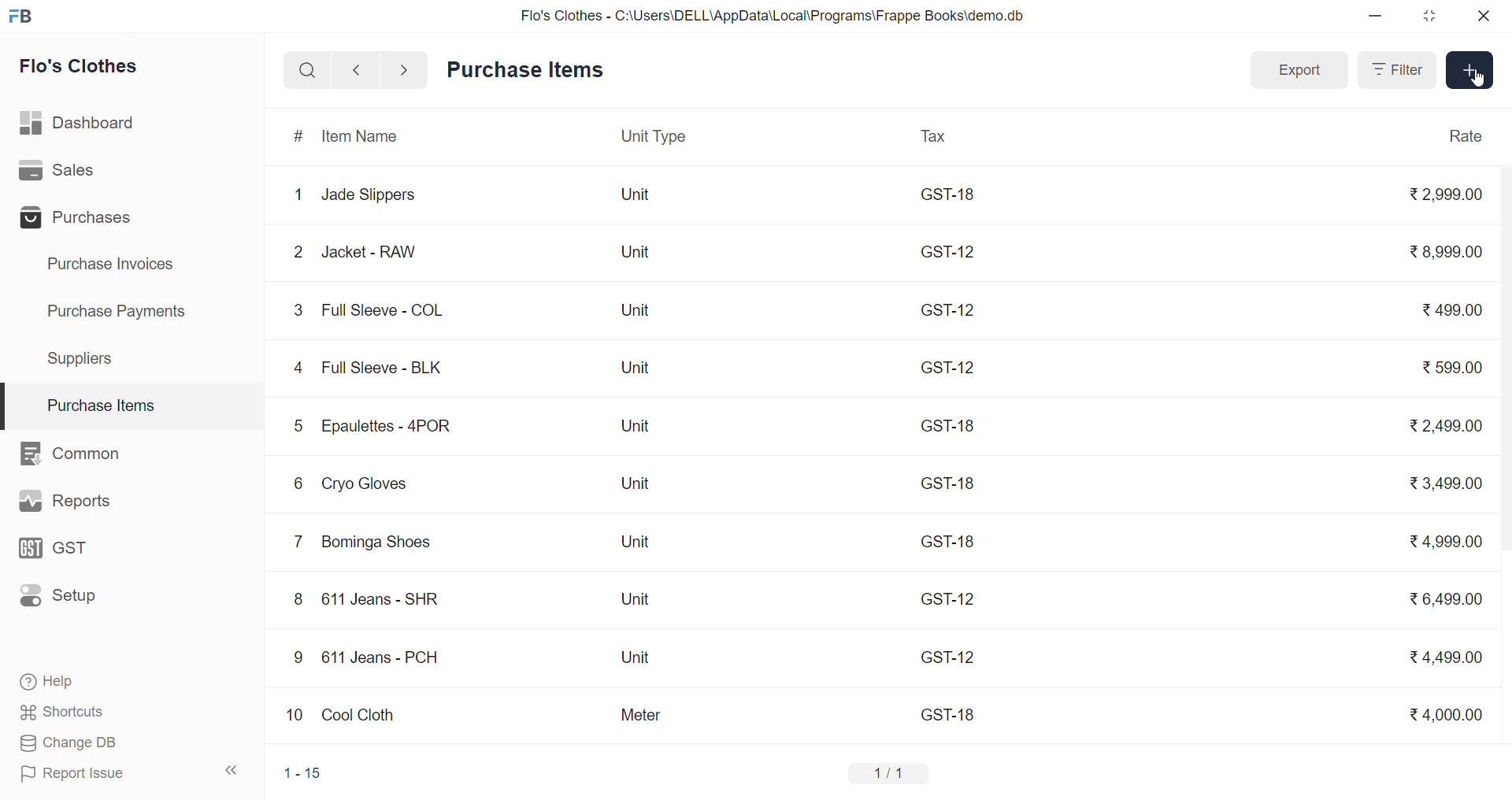 The image size is (1512, 800). What do you see at coordinates (1438, 481) in the screenshot?
I see `₹3,499.00` at bounding box center [1438, 481].